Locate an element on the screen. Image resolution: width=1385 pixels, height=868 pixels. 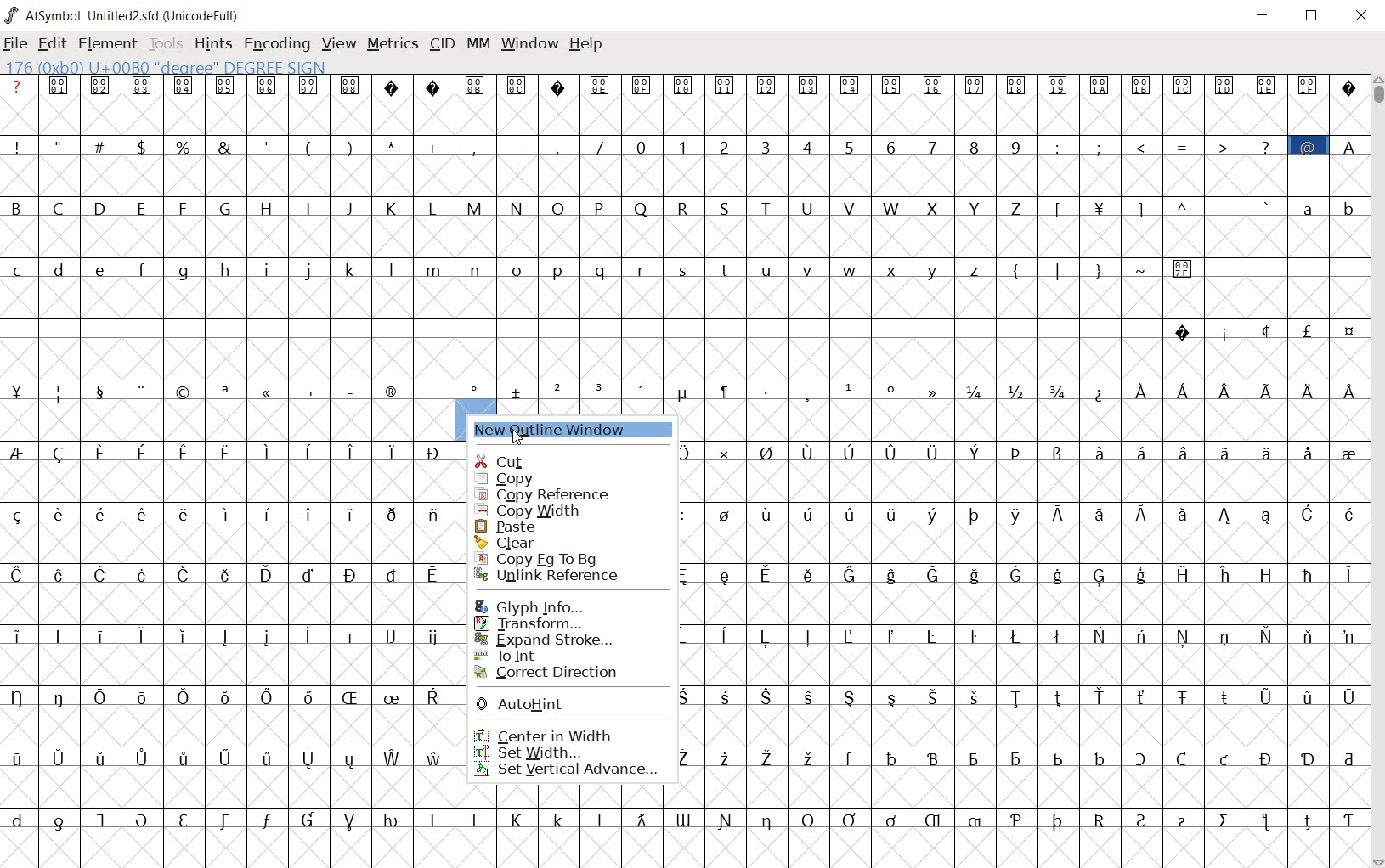
small letters c - z is located at coordinates (497, 268).